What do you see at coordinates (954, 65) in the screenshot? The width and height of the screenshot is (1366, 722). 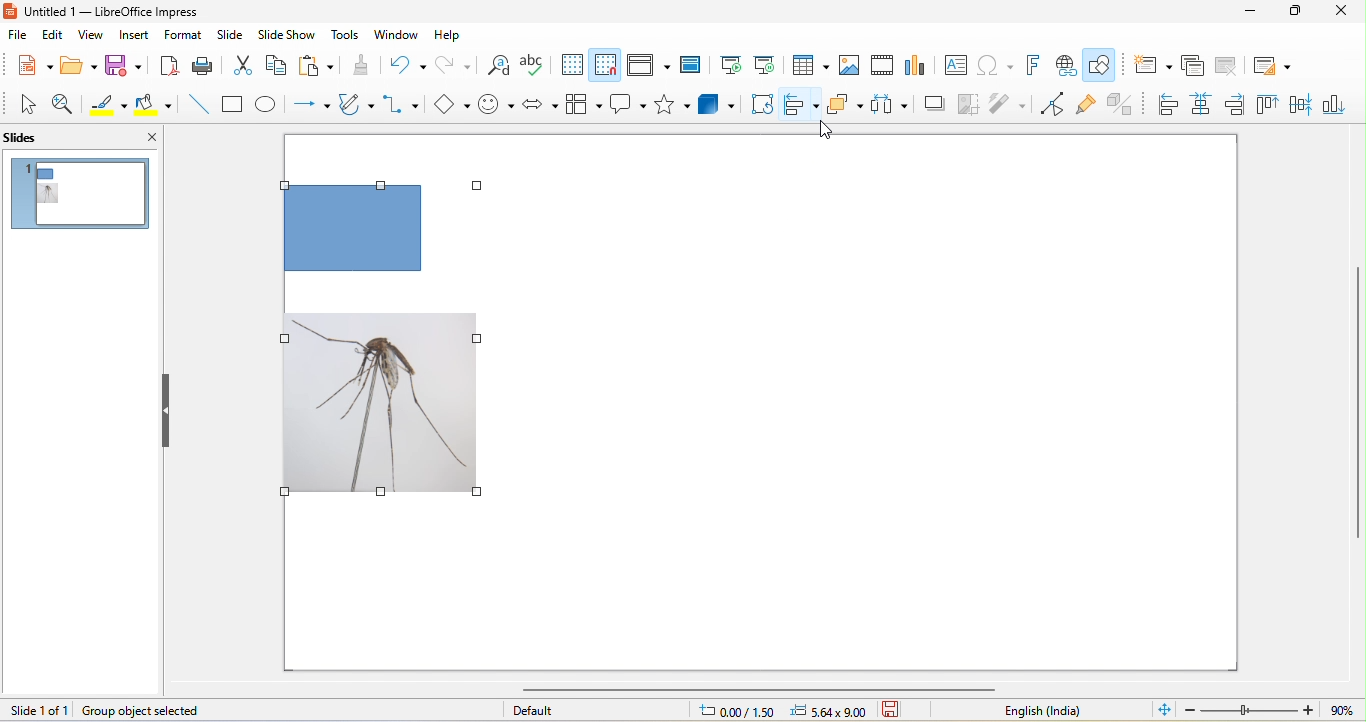 I see `text box` at bounding box center [954, 65].